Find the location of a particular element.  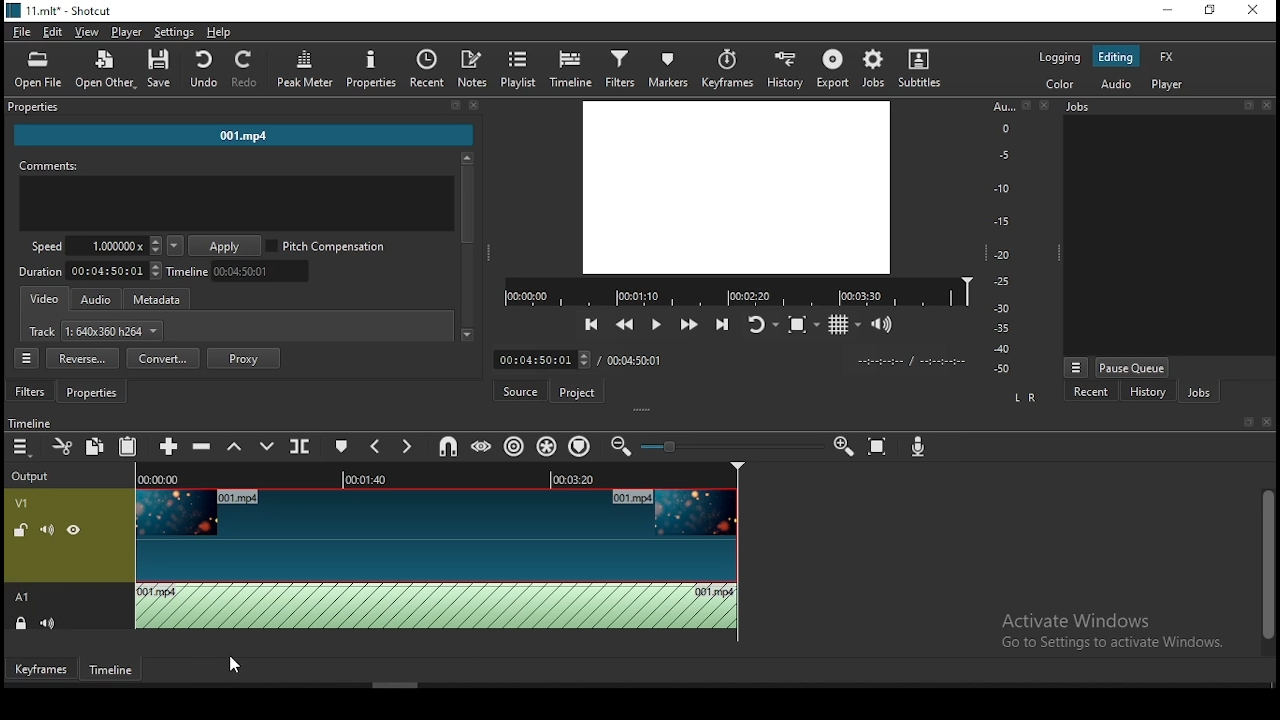

lift is located at coordinates (236, 446).